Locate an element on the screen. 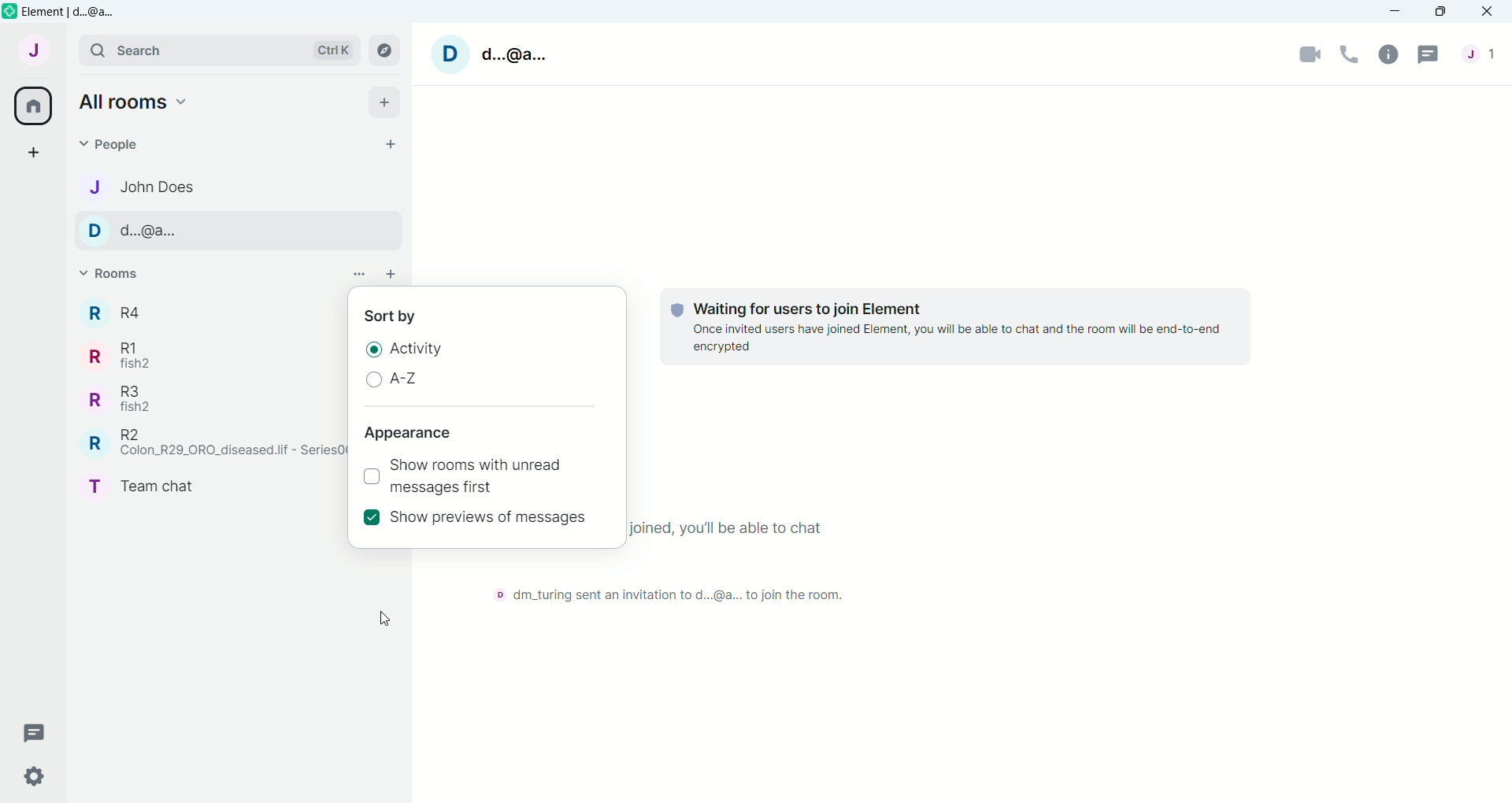  Waiting for users to join Element Once invited users have joined Element, you will be able to chat and the room will be end-to-end encrypted is located at coordinates (954, 327).